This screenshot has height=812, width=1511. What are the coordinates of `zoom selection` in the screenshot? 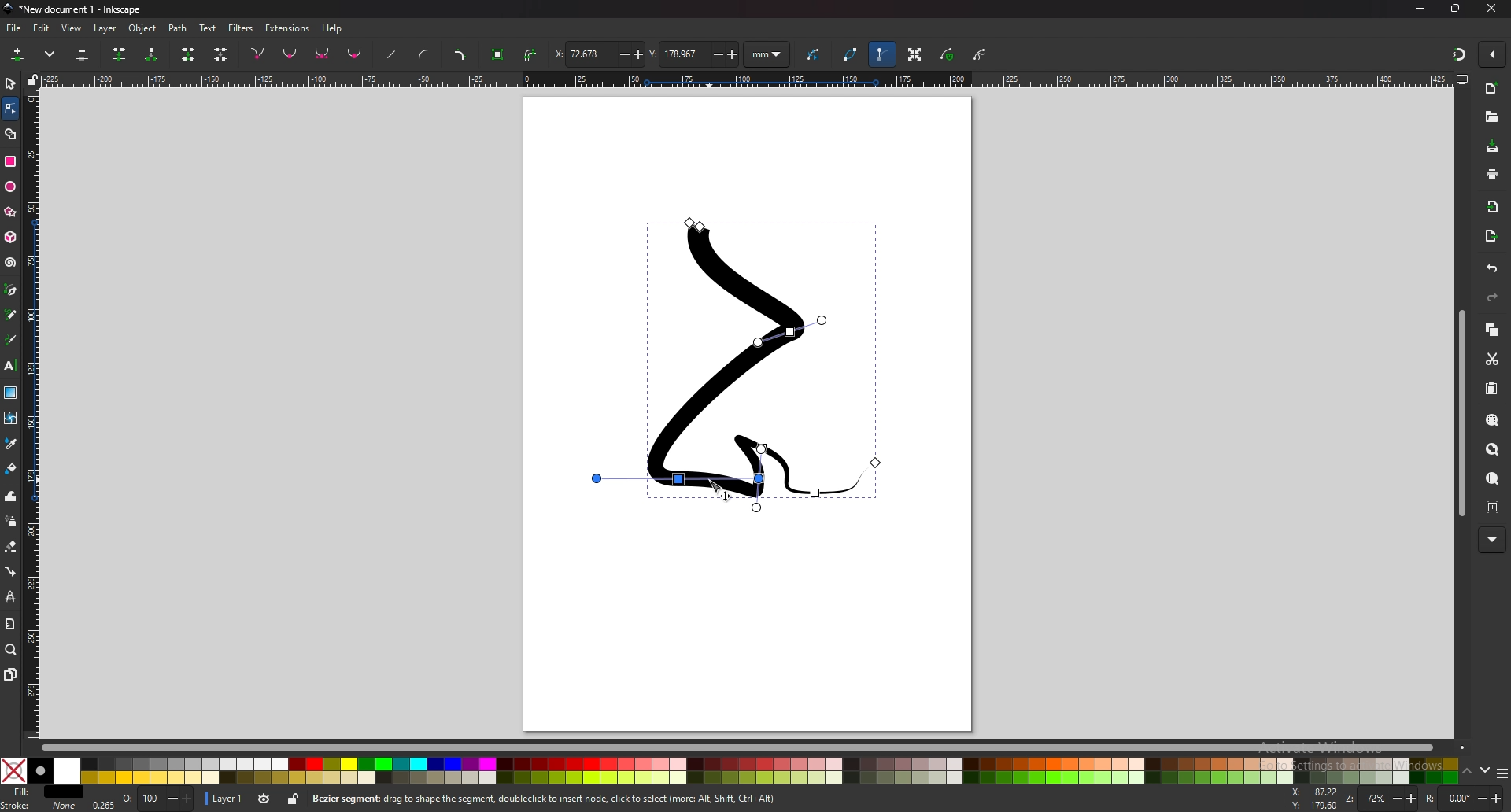 It's located at (1493, 420).